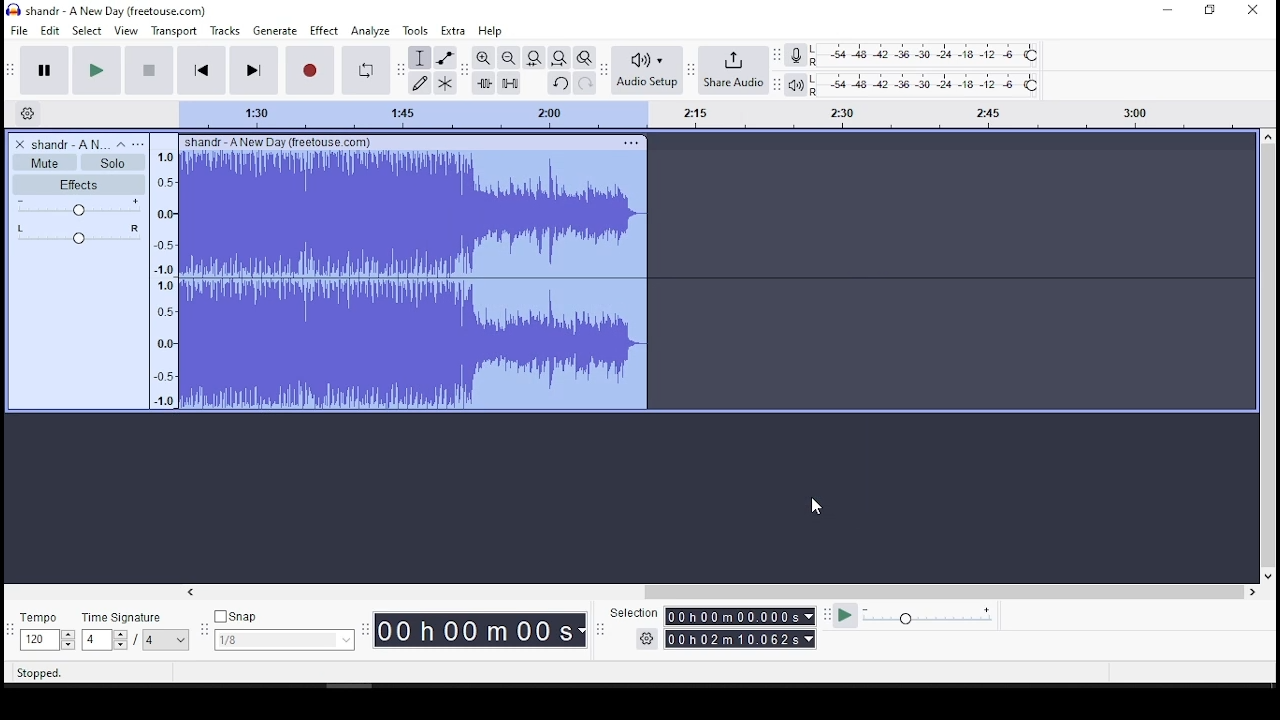 The height and width of the screenshot is (720, 1280). Describe the element at coordinates (1208, 12) in the screenshot. I see `restore` at that location.